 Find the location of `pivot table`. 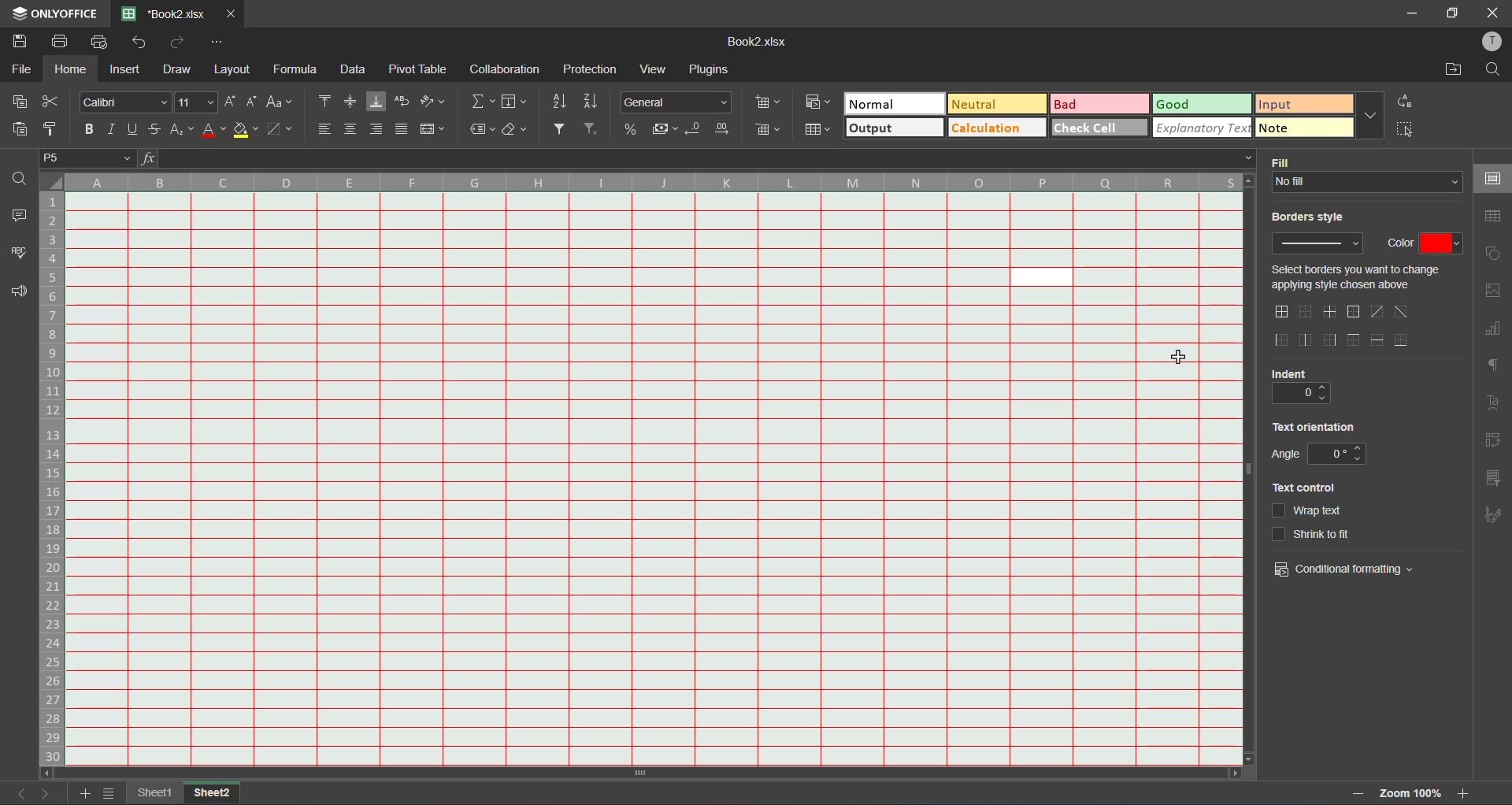

pivot table is located at coordinates (419, 69).